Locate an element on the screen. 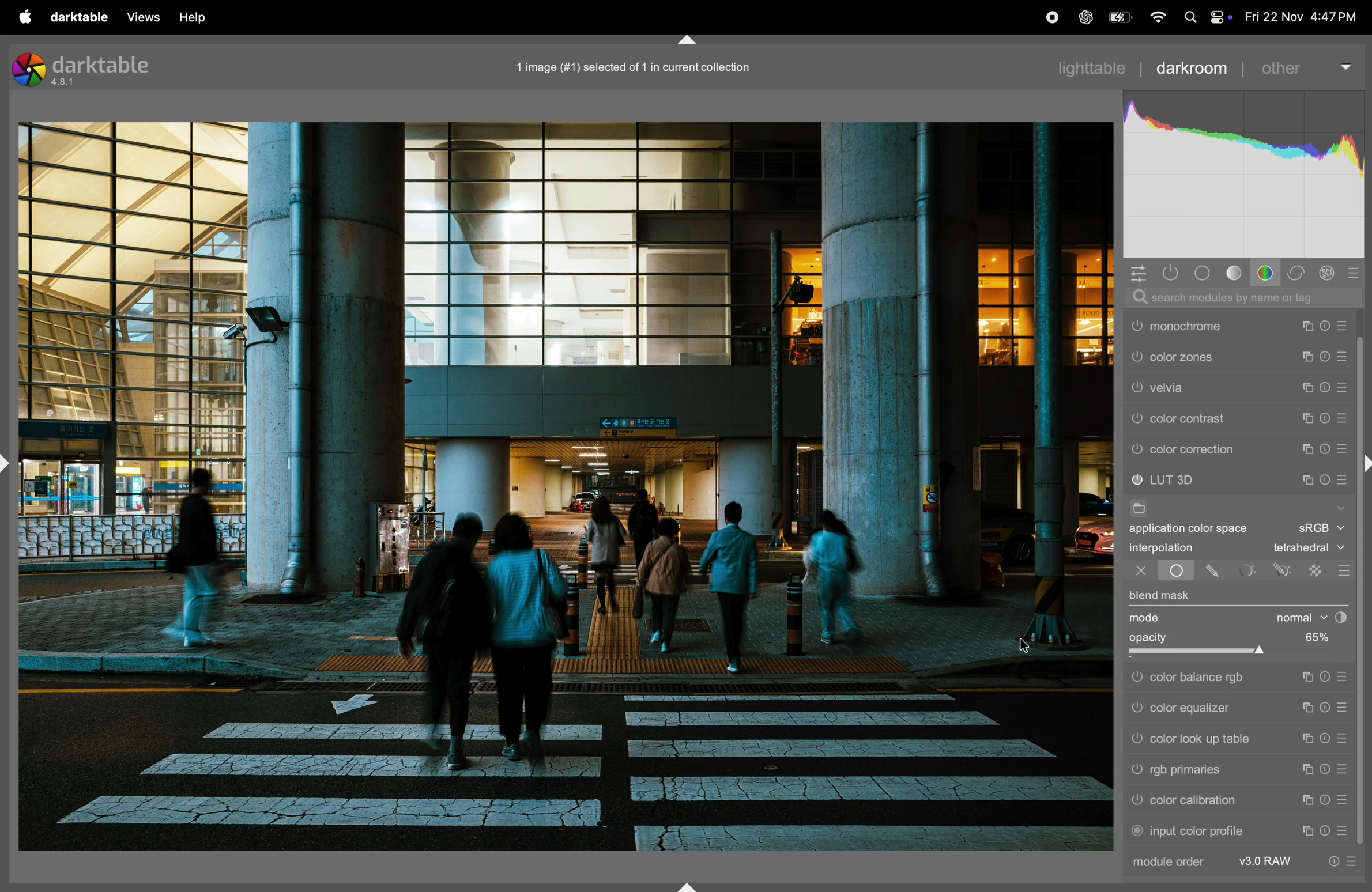 The height and width of the screenshot is (892, 1372). histogram is located at coordinates (1245, 171).